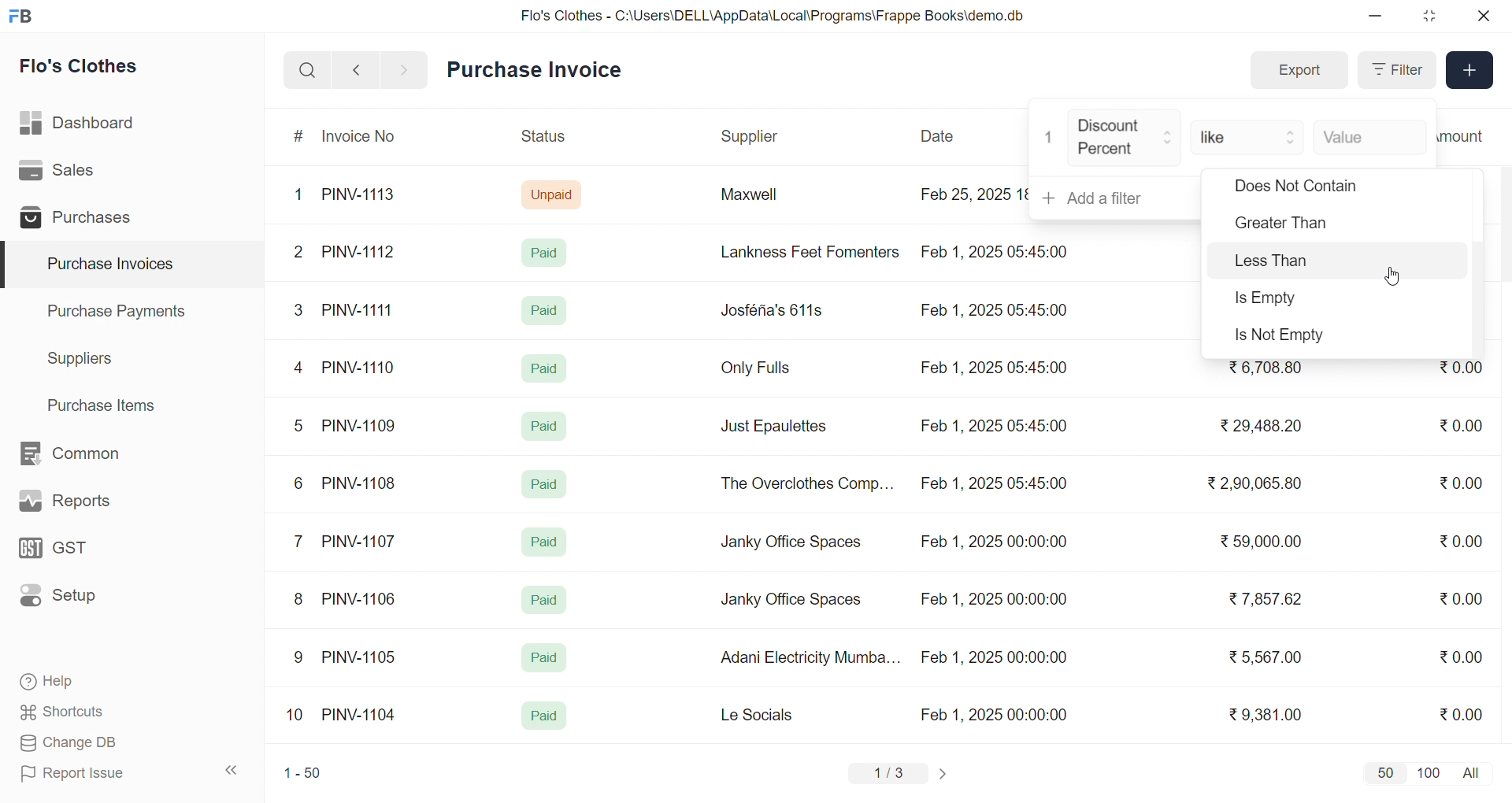  What do you see at coordinates (1461, 372) in the screenshot?
I see `₹0.00` at bounding box center [1461, 372].